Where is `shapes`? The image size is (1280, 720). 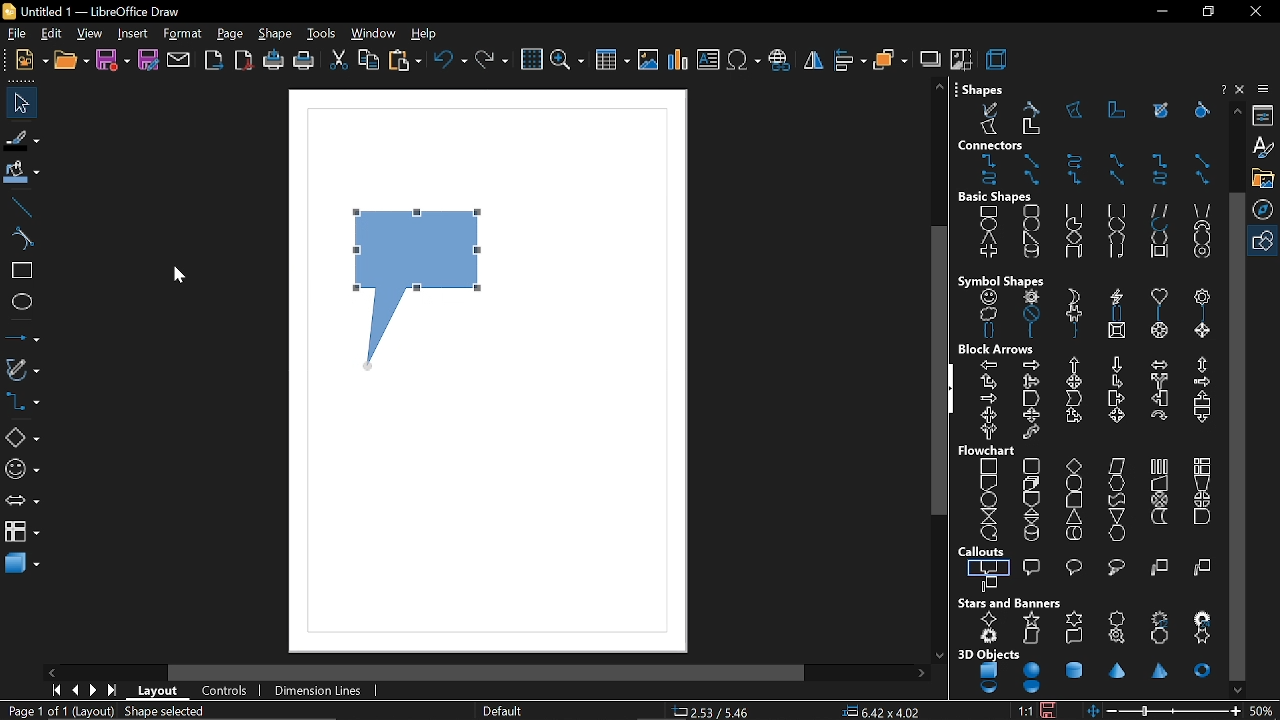
shapes is located at coordinates (982, 88).